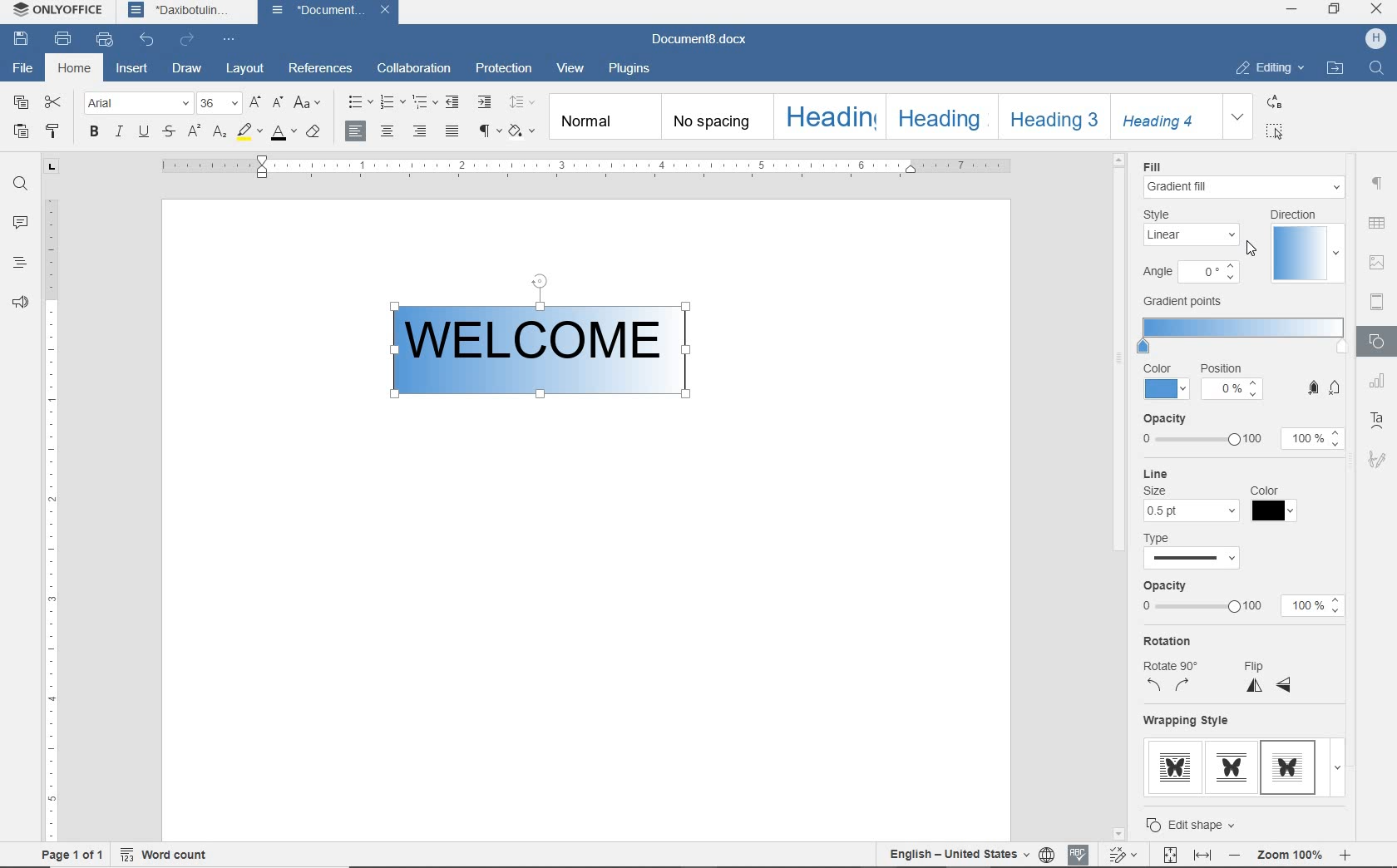 The width and height of the screenshot is (1397, 868). I want to click on NONPRINTING CHARACTERS, so click(487, 131).